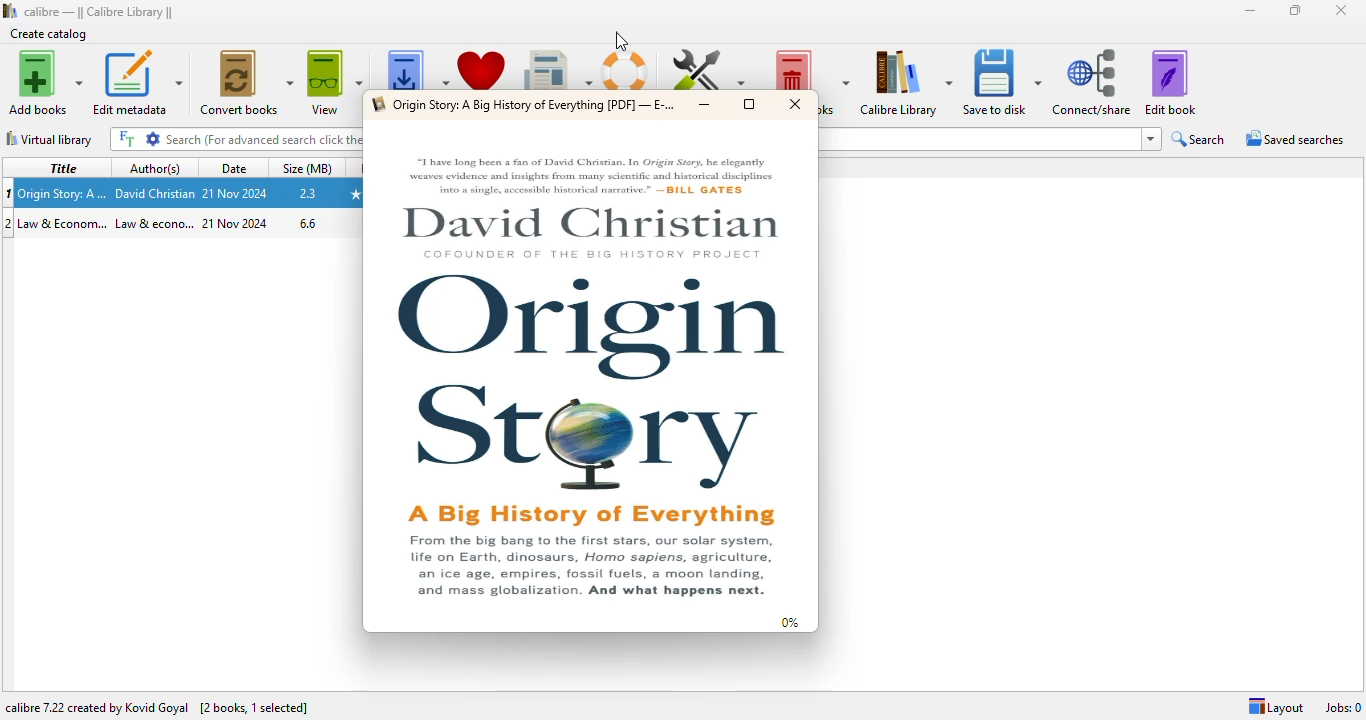 The width and height of the screenshot is (1366, 720). Describe the element at coordinates (155, 224) in the screenshot. I see `author` at that location.